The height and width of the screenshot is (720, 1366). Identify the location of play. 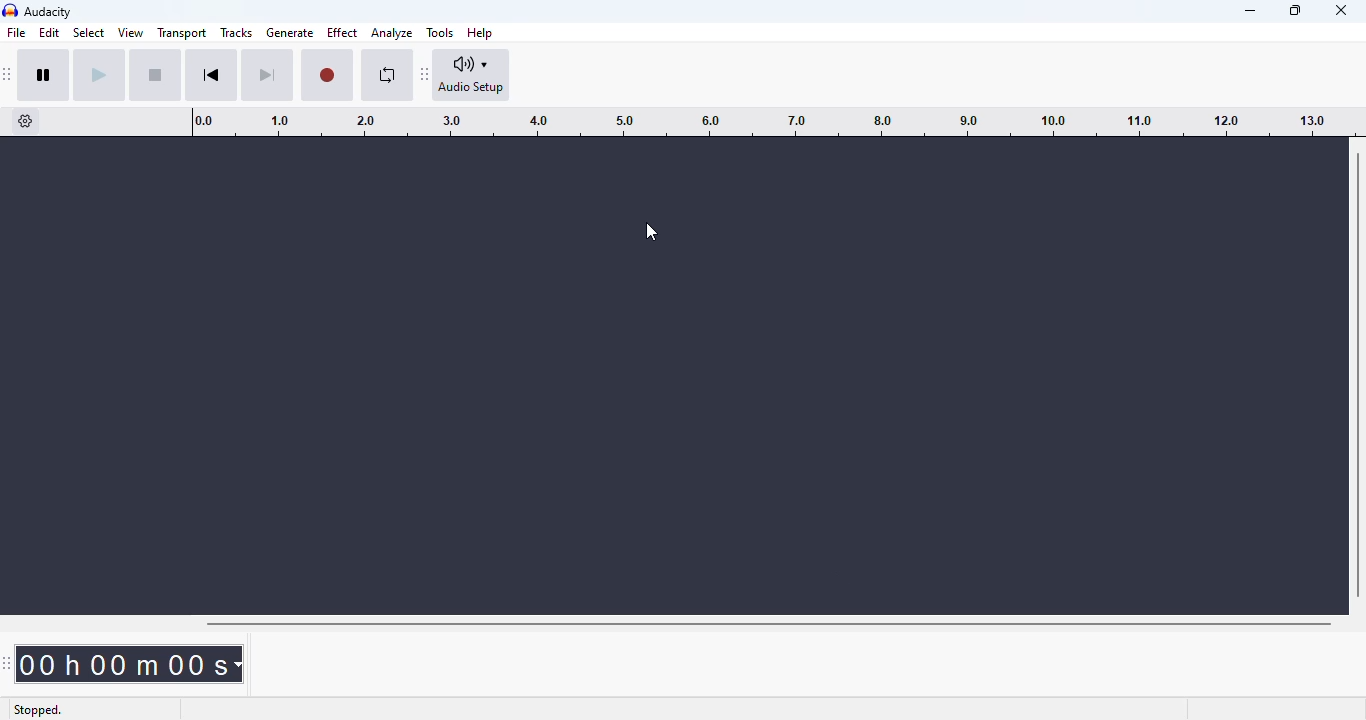
(99, 75).